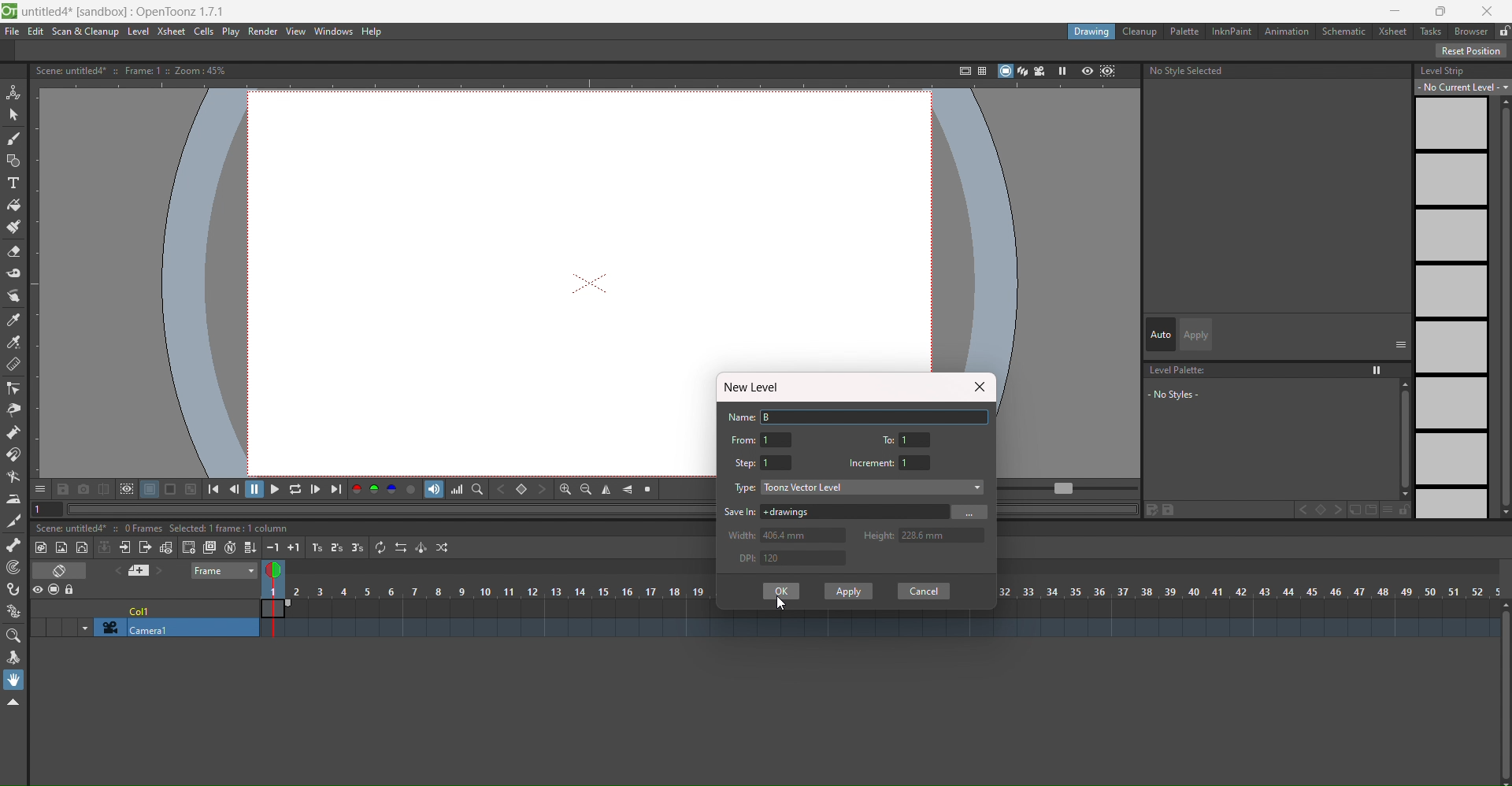 This screenshot has height=786, width=1512. Describe the element at coordinates (62, 549) in the screenshot. I see `new raster level` at that location.